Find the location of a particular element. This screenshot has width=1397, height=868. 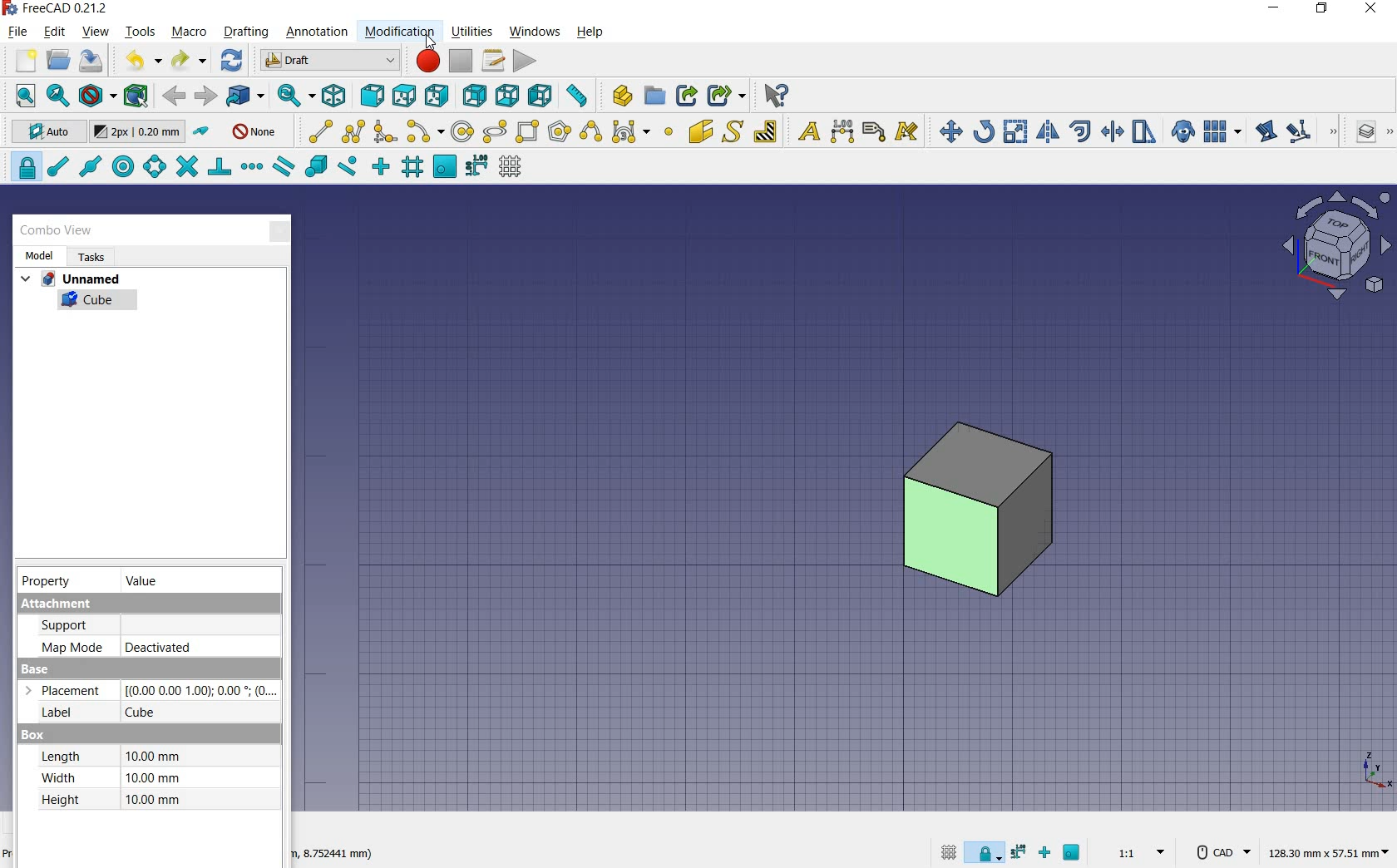

view plane options is located at coordinates (1335, 245).